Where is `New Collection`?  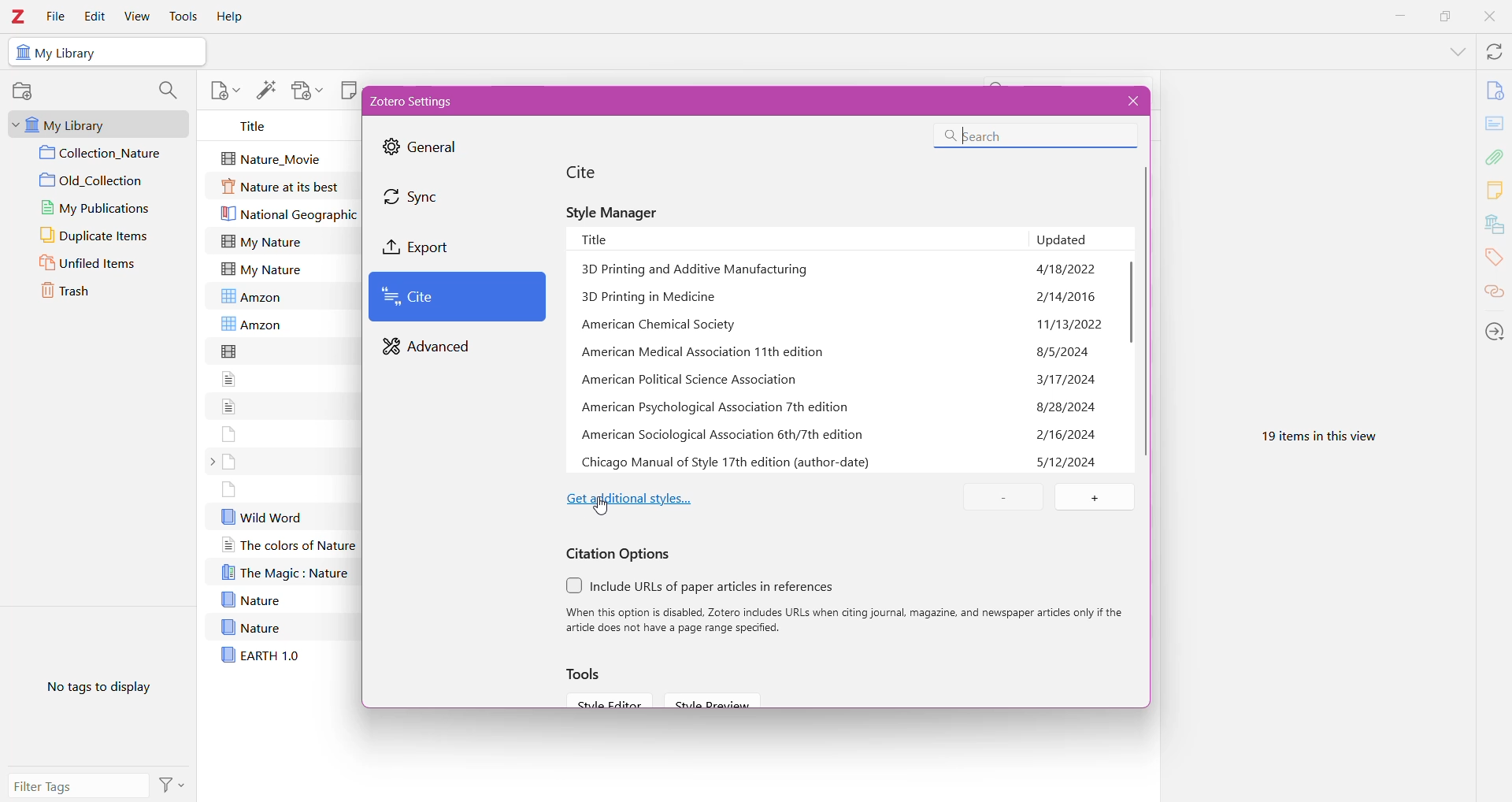
New Collection is located at coordinates (26, 91).